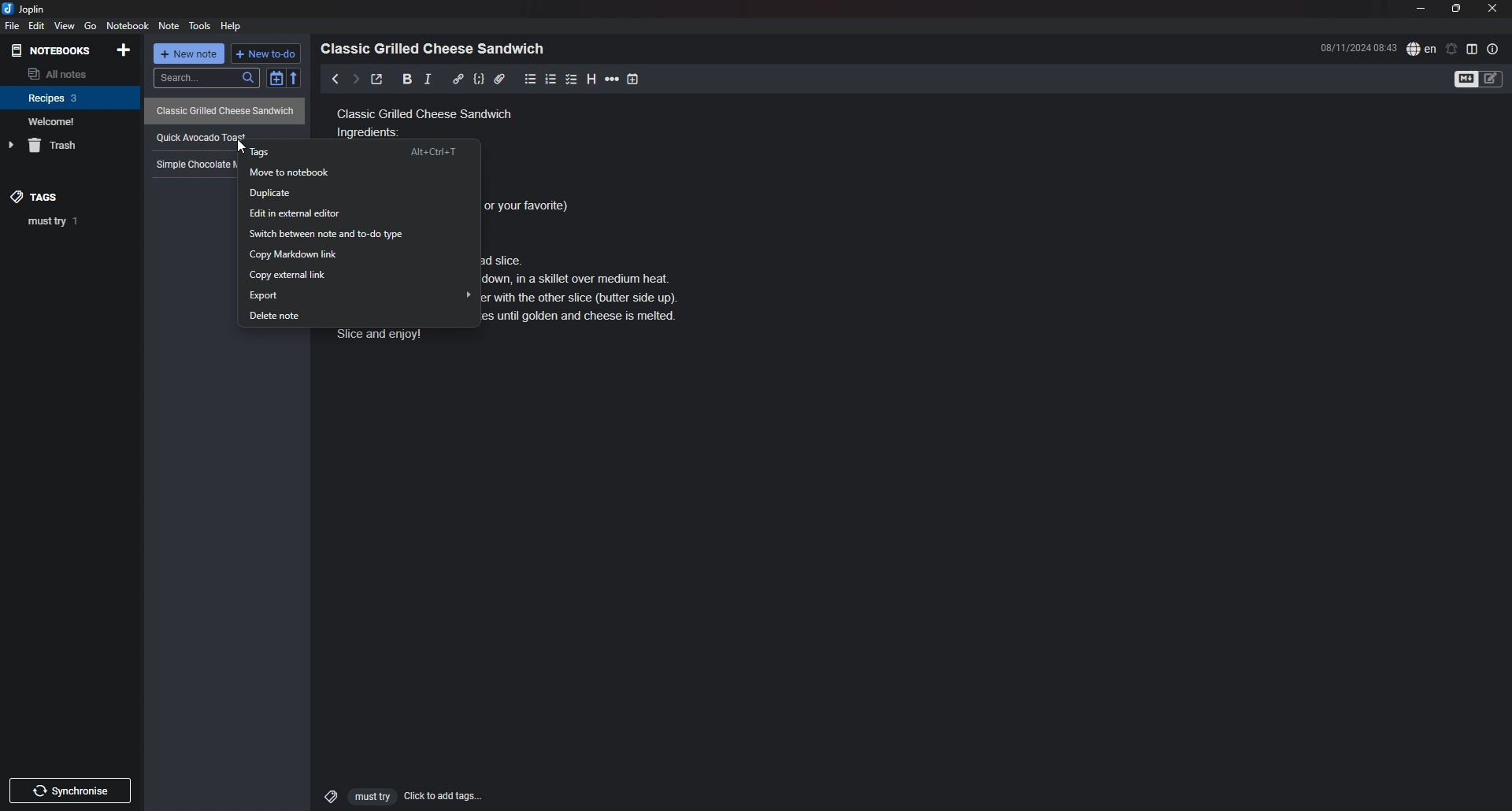  Describe the element at coordinates (531, 79) in the screenshot. I see `bullet list` at that location.